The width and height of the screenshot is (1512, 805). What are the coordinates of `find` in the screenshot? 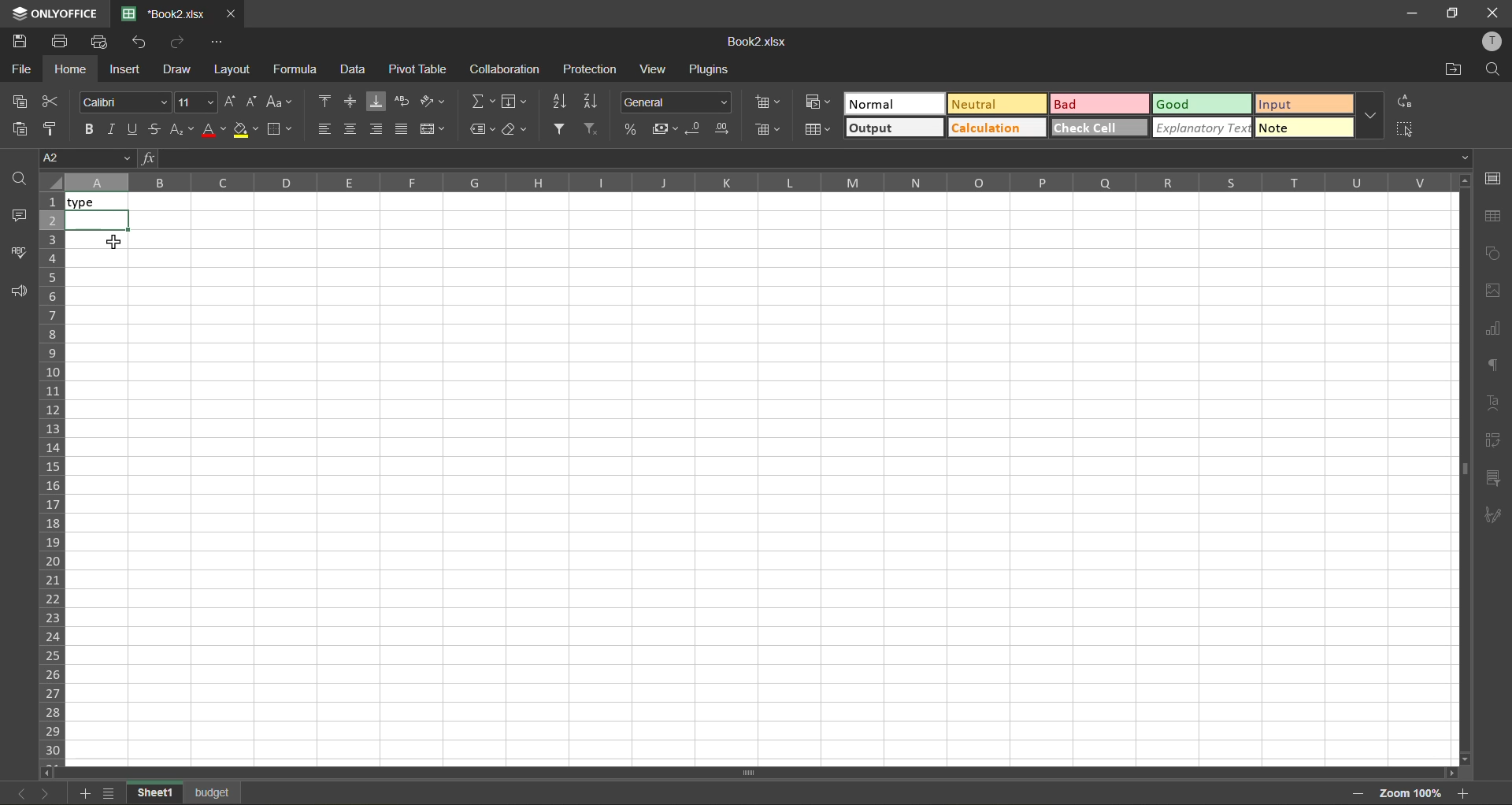 It's located at (1492, 70).